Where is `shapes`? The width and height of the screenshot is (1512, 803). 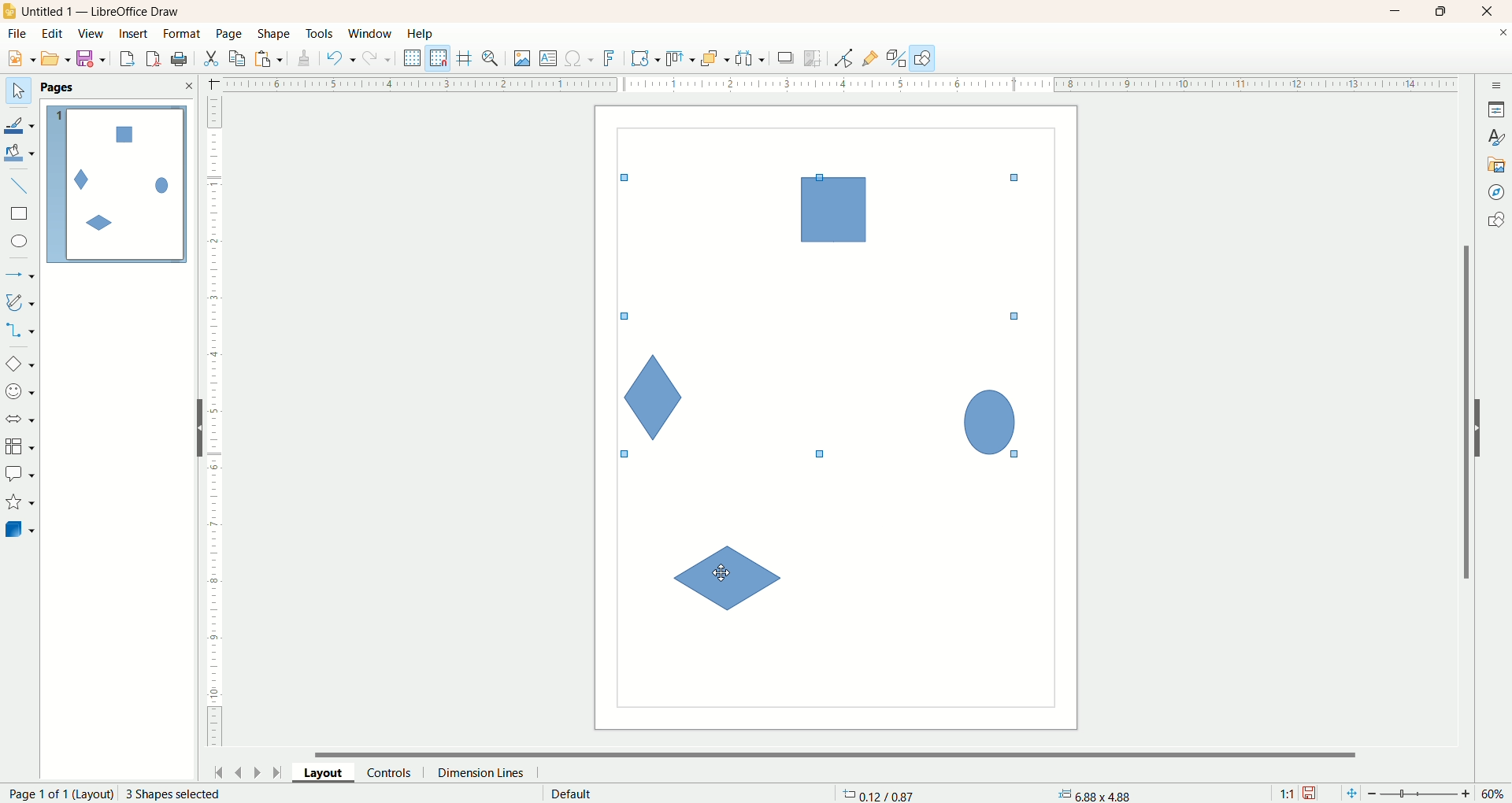 shapes is located at coordinates (1495, 222).